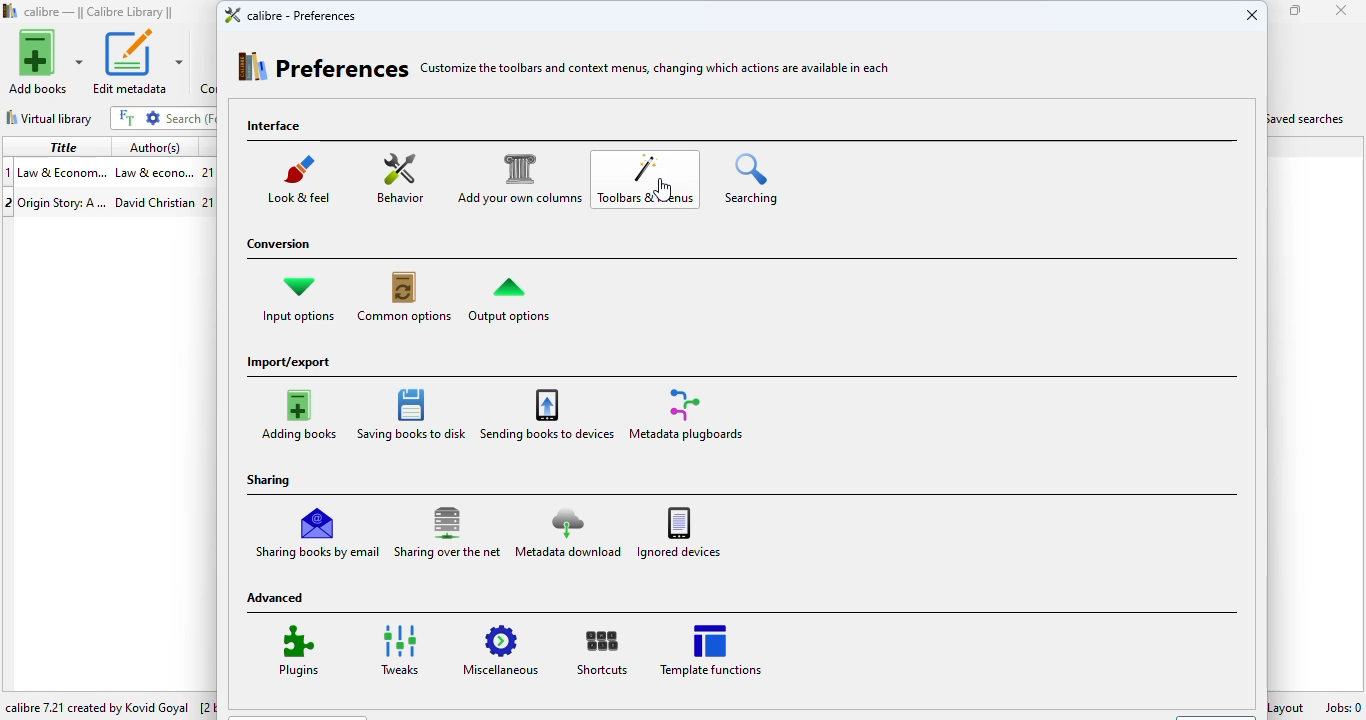 Image resolution: width=1366 pixels, height=720 pixels. Describe the element at coordinates (1343, 707) in the screenshot. I see `jobs: 0` at that location.